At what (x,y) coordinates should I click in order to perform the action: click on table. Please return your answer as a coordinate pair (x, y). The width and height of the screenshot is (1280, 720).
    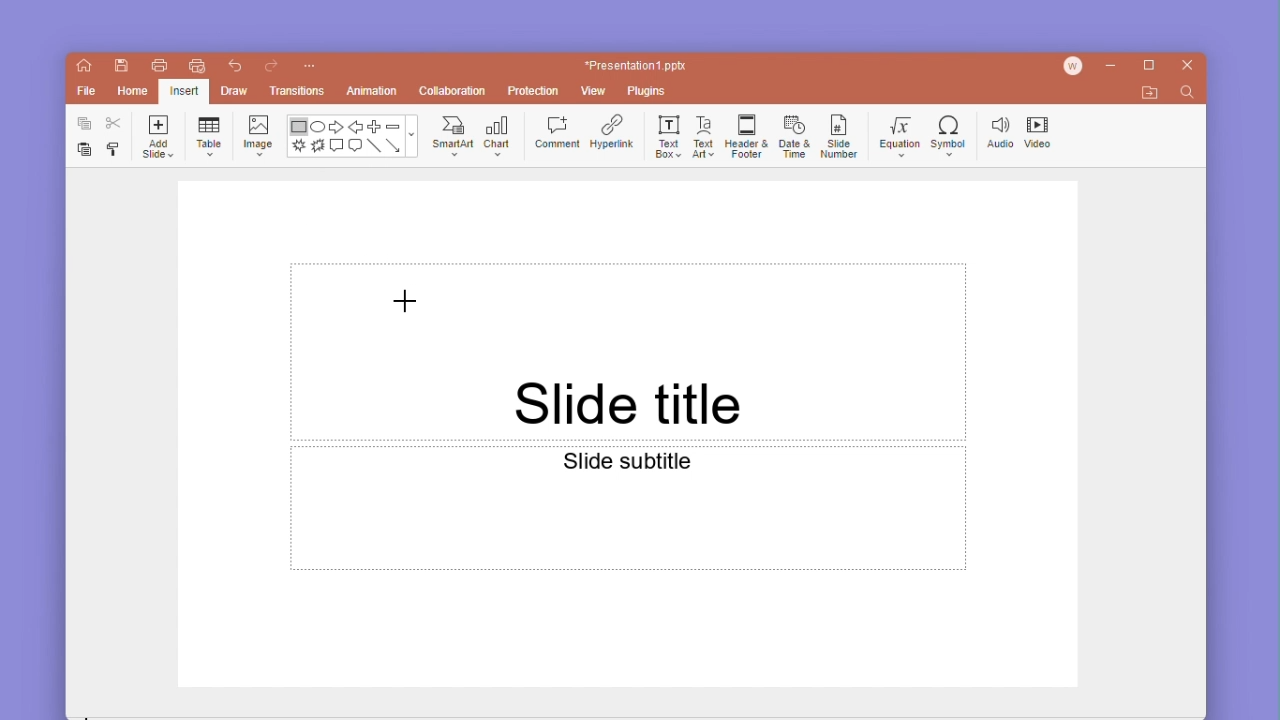
    Looking at the image, I should click on (210, 134).